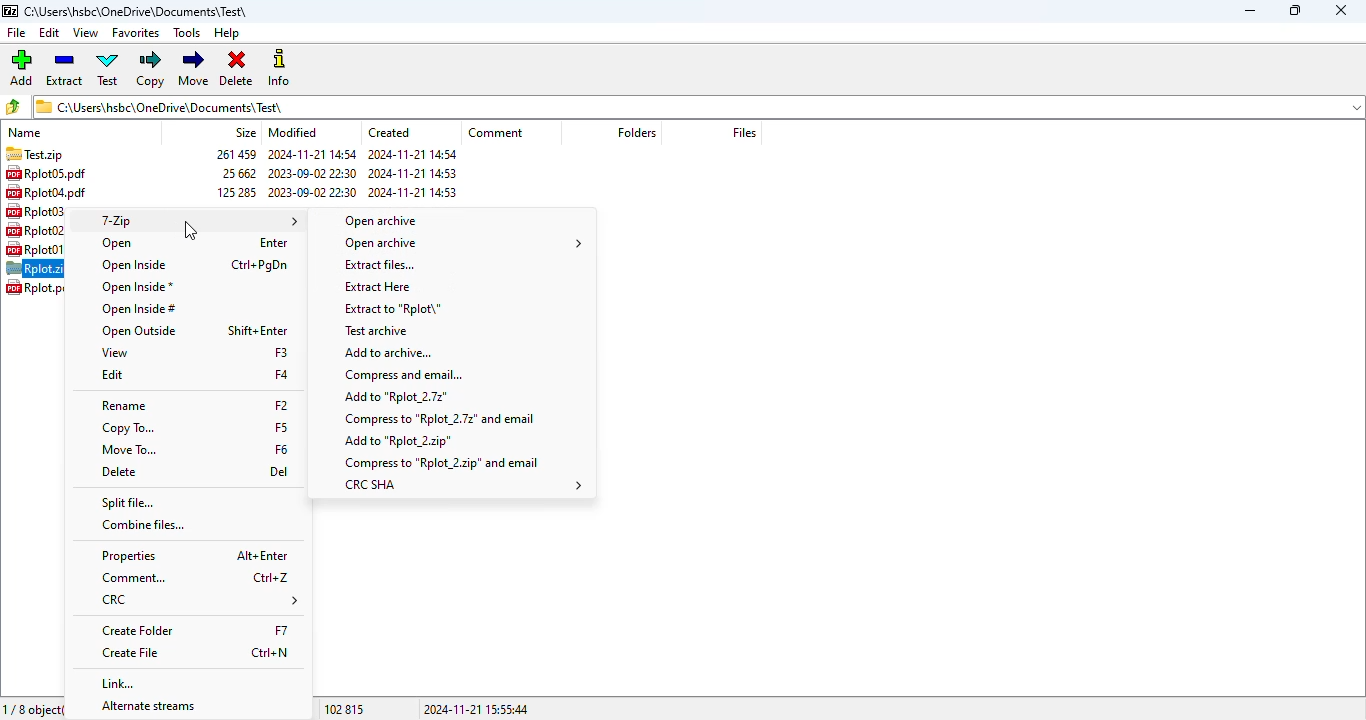 This screenshot has height=720, width=1366. Describe the element at coordinates (379, 264) in the screenshot. I see `extract files` at that location.